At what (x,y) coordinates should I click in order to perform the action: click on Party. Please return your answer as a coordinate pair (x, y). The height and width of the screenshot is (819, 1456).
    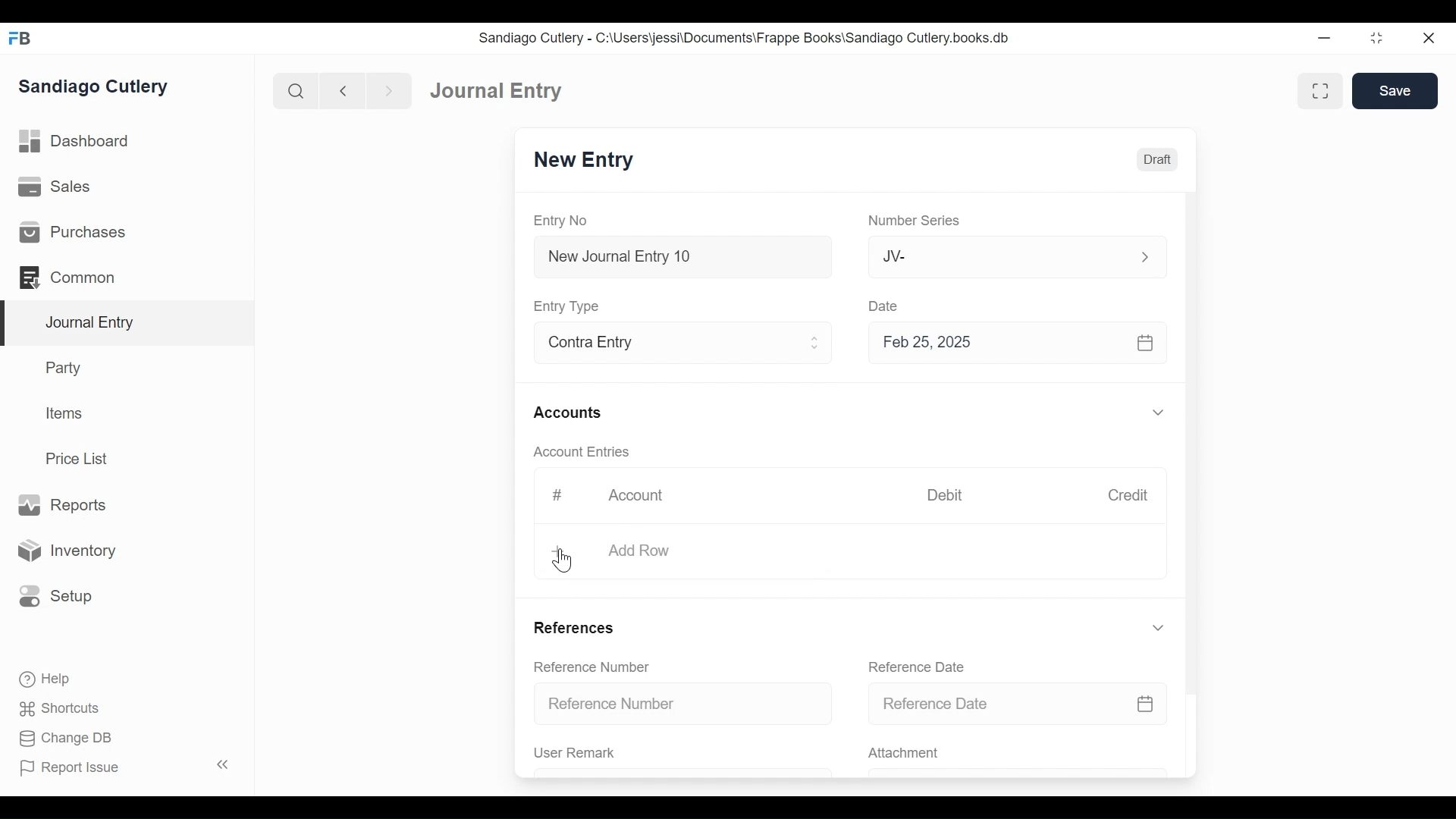
    Looking at the image, I should click on (61, 368).